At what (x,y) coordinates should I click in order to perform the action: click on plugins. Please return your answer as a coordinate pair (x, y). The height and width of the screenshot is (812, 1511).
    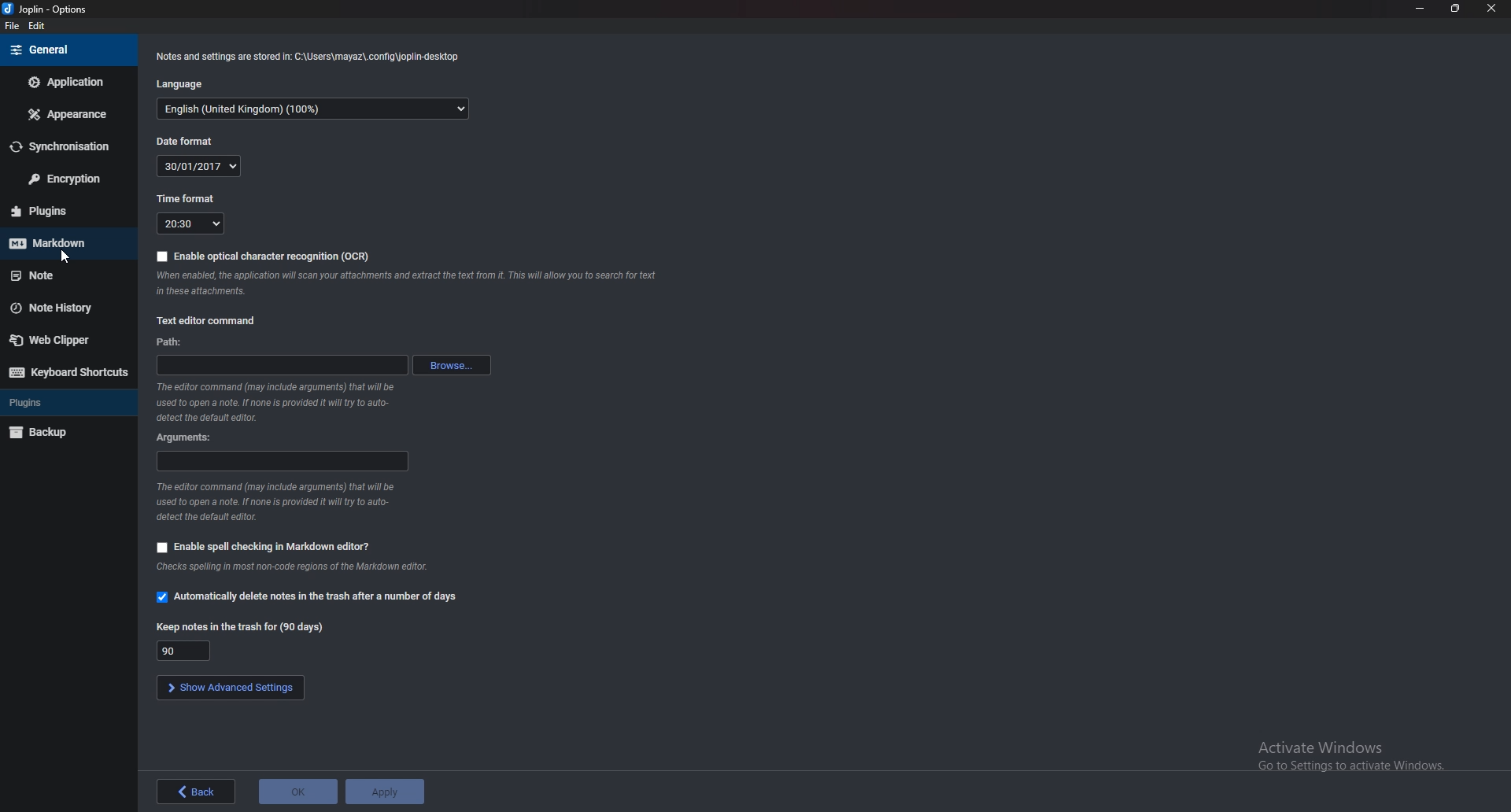
    Looking at the image, I should click on (67, 402).